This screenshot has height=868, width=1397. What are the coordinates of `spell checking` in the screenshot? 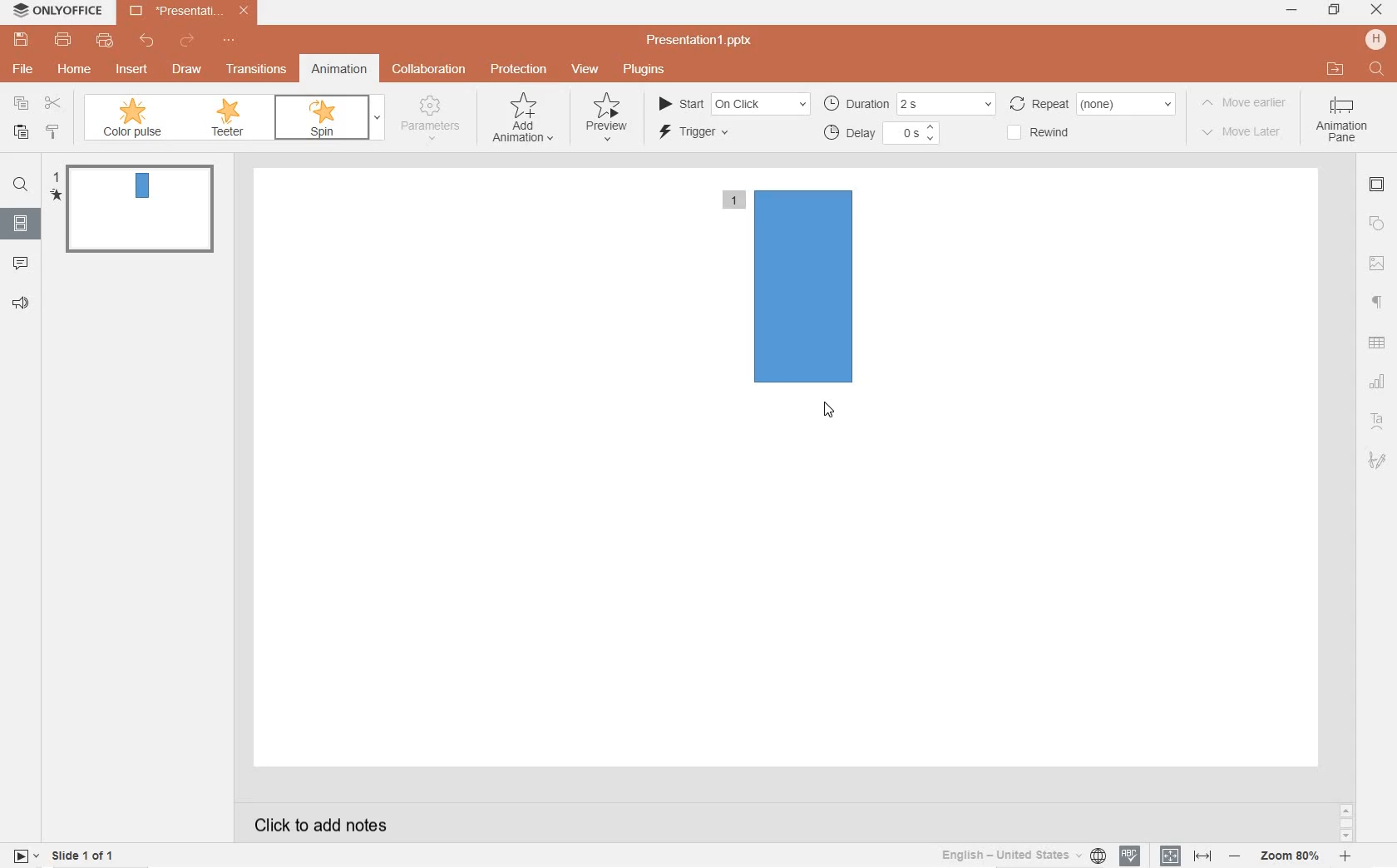 It's located at (1129, 856).